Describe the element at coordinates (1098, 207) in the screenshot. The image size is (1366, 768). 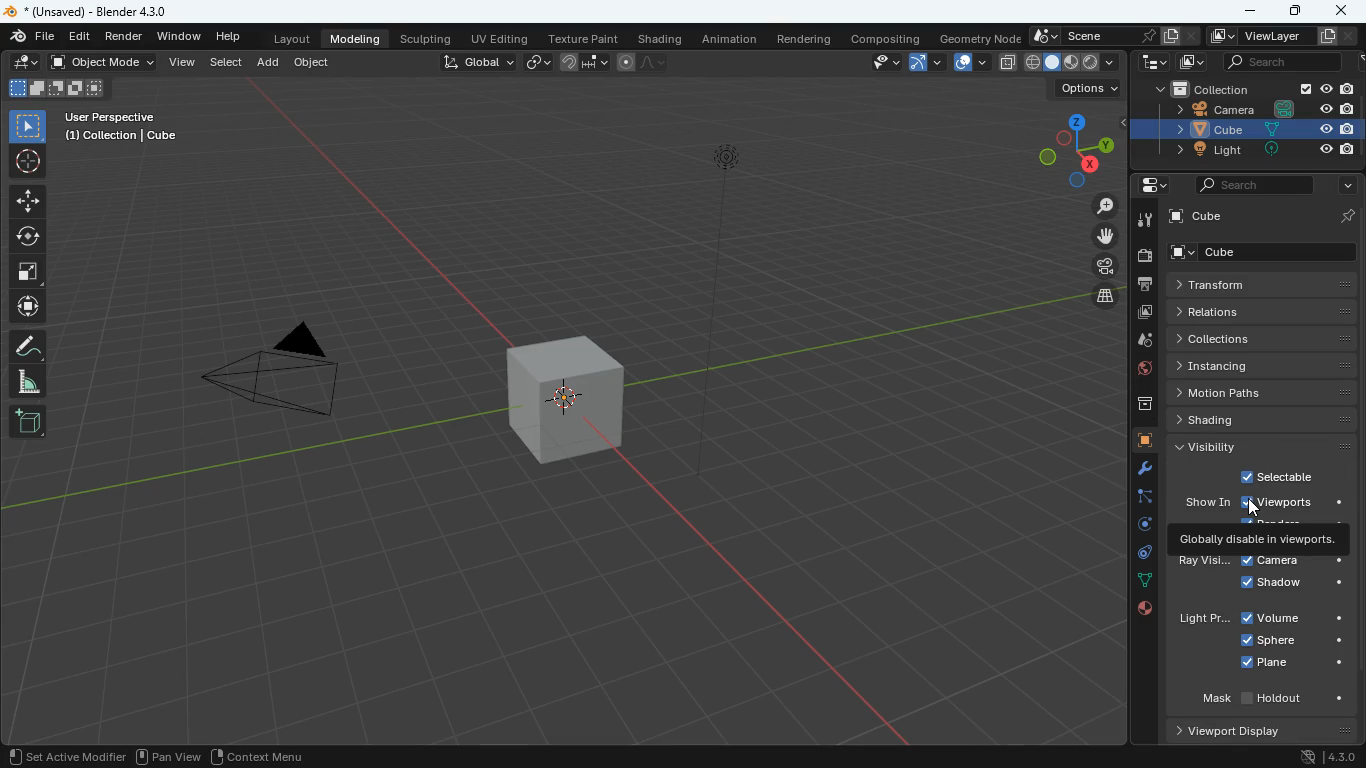
I see `zoom` at that location.